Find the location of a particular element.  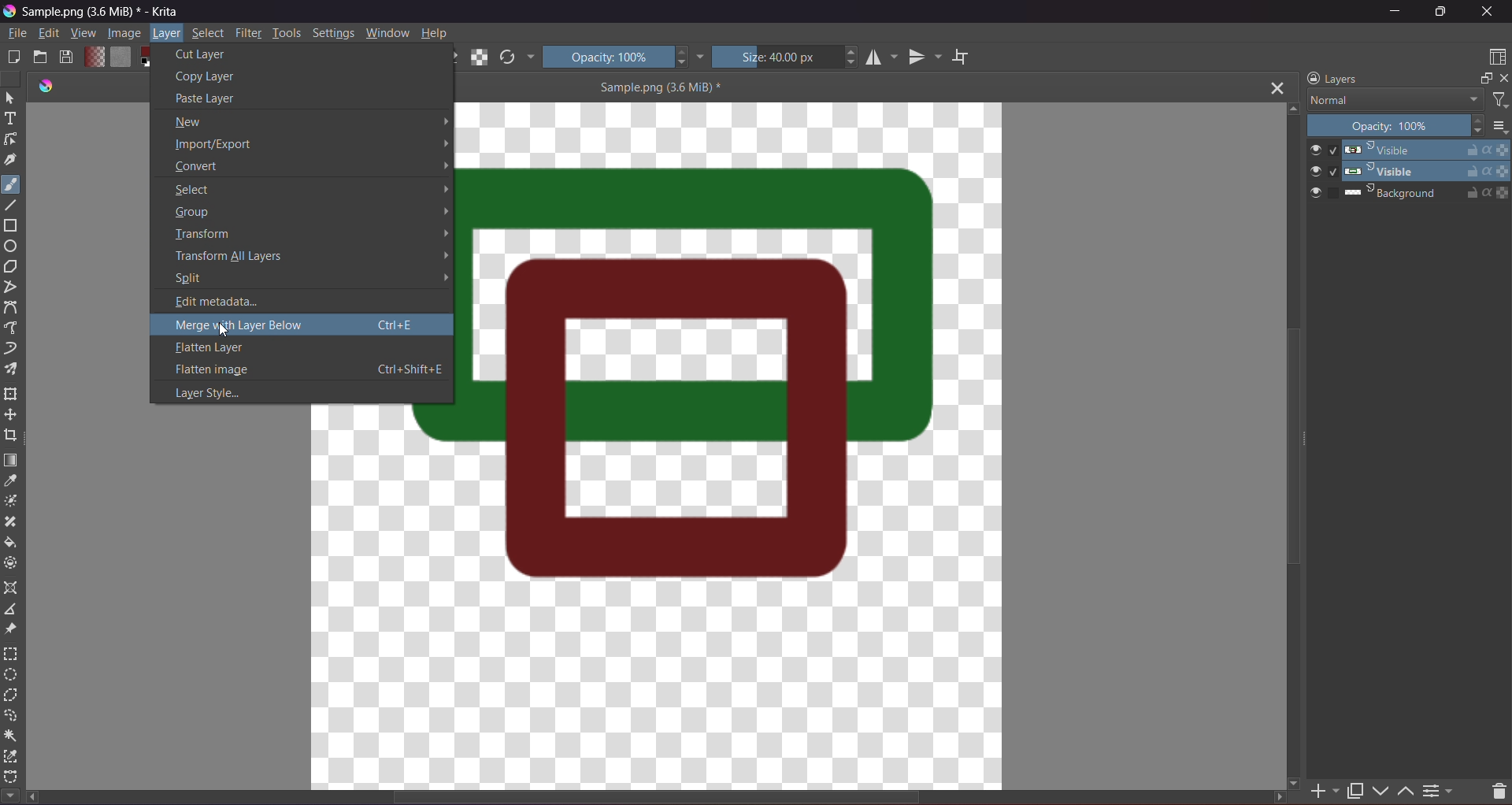

Dynamic Brush is located at coordinates (12, 349).